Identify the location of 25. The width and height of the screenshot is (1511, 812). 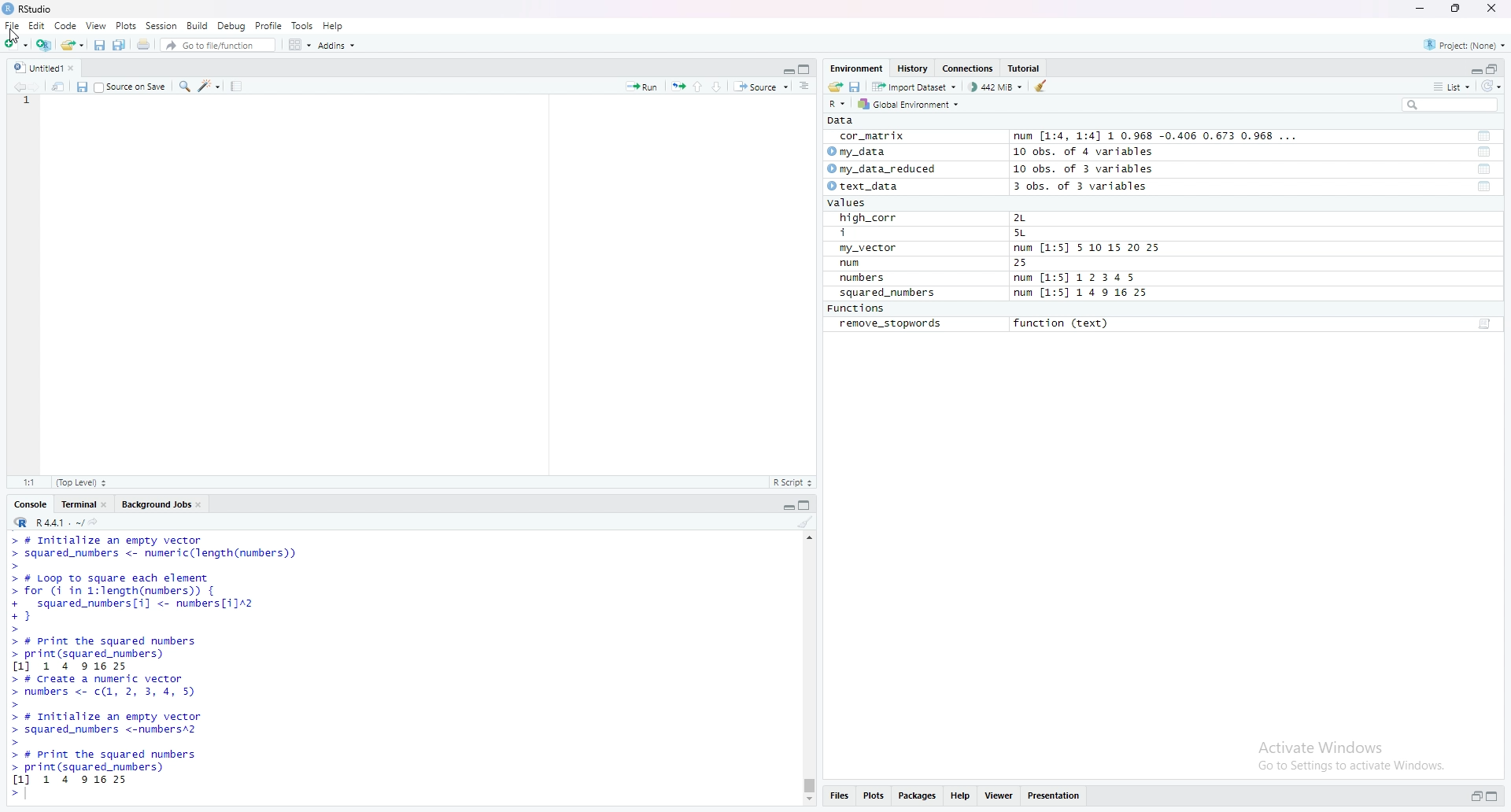
(1037, 263).